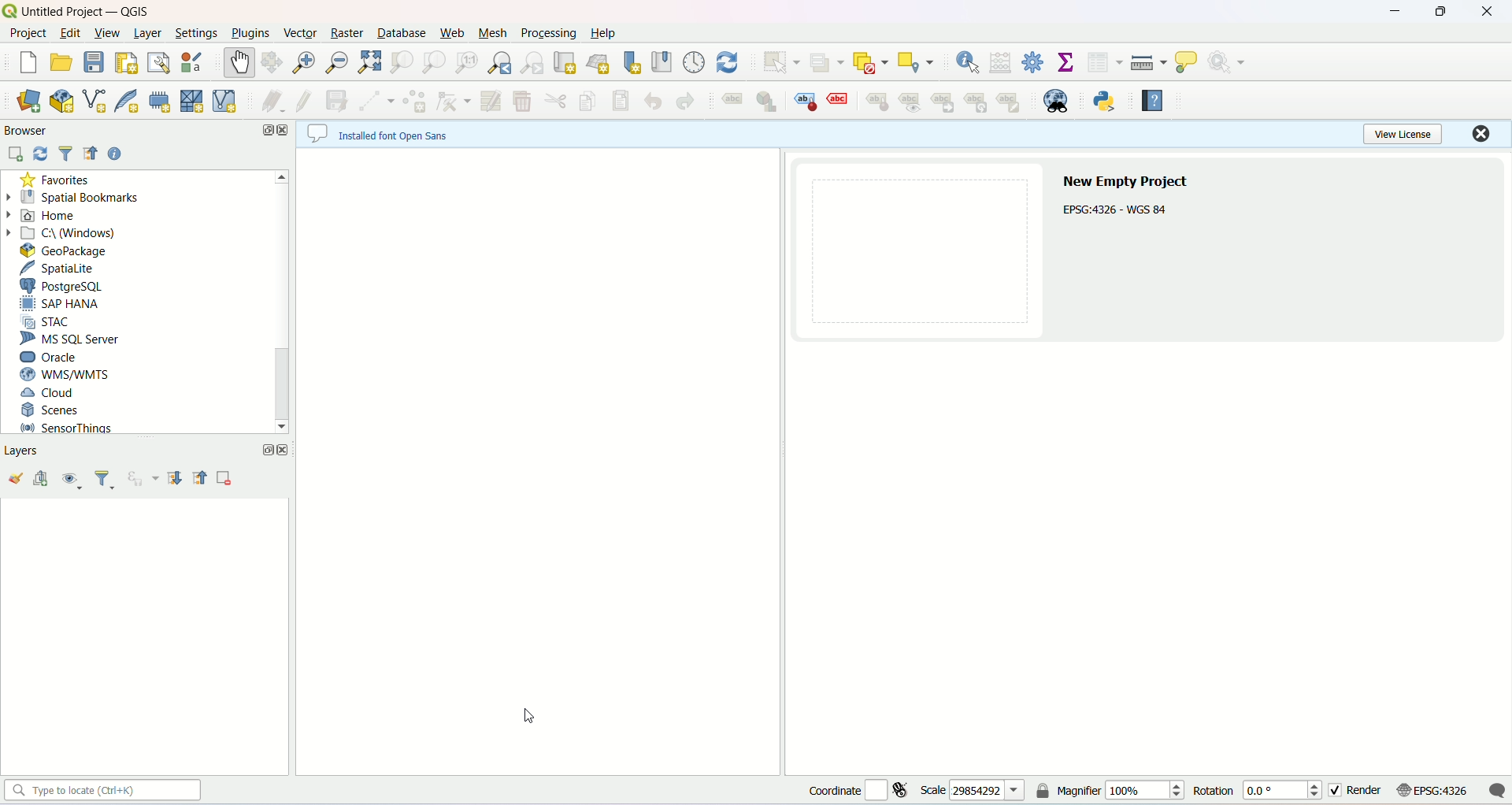 Image resolution: width=1512 pixels, height=805 pixels. What do you see at coordinates (251, 33) in the screenshot?
I see `plugins` at bounding box center [251, 33].